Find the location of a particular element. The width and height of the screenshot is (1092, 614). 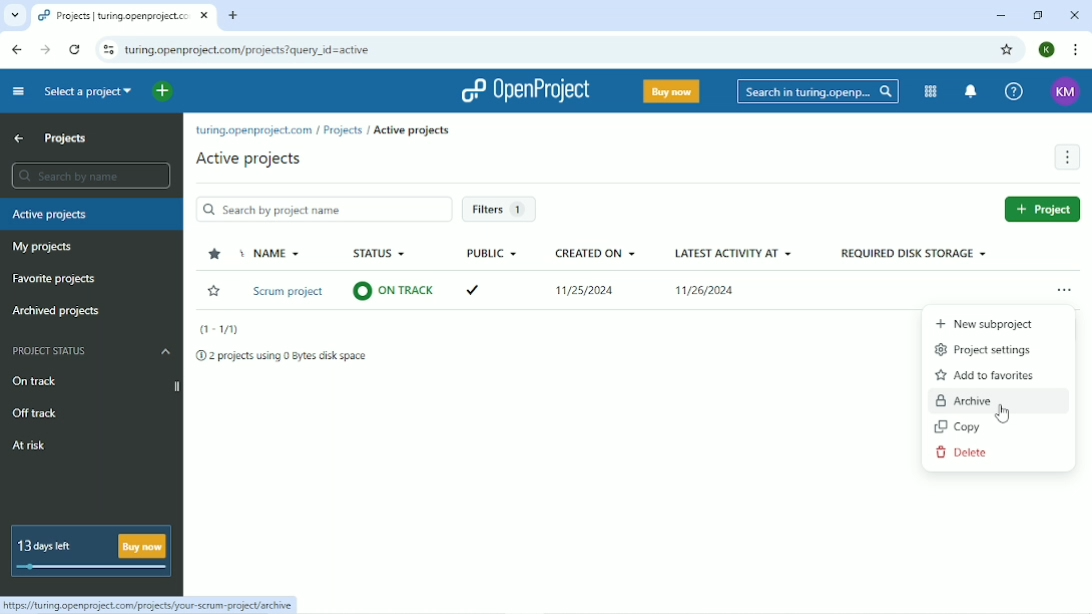

11/25/2024 is located at coordinates (590, 294).